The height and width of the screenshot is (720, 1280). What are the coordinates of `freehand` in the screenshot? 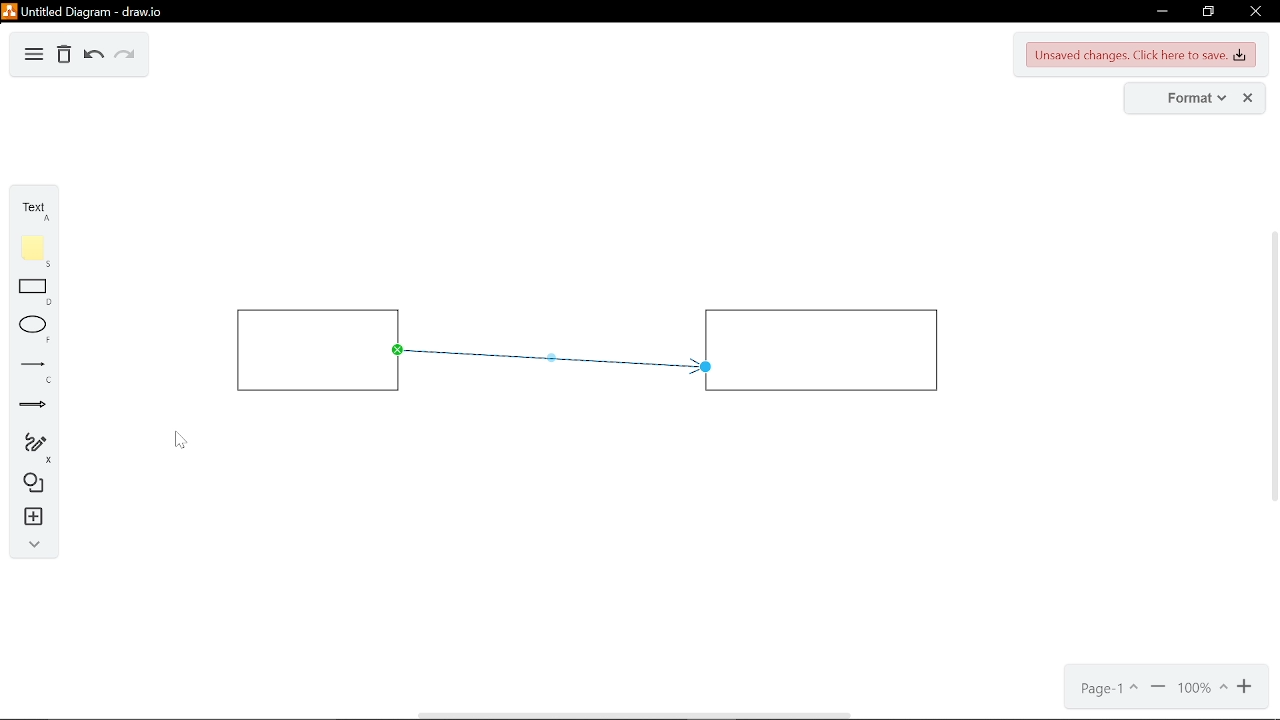 It's located at (30, 447).